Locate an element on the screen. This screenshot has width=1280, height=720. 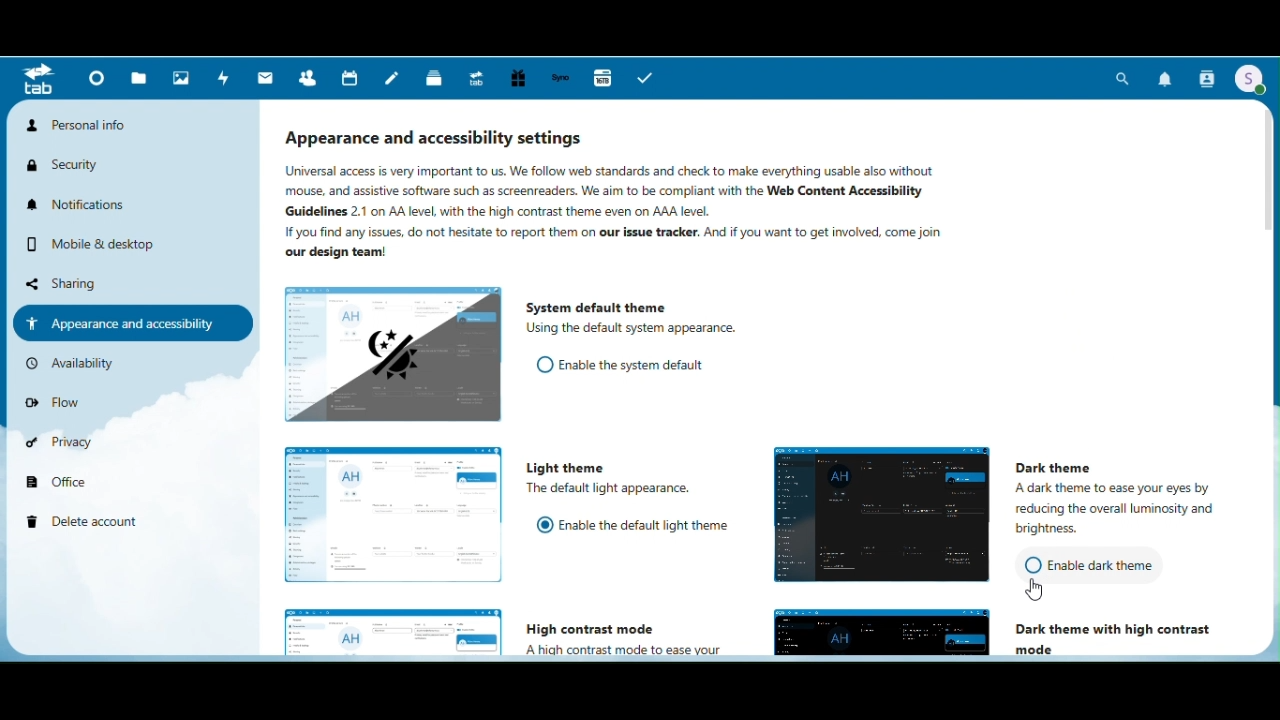
Flow is located at coordinates (58, 401).